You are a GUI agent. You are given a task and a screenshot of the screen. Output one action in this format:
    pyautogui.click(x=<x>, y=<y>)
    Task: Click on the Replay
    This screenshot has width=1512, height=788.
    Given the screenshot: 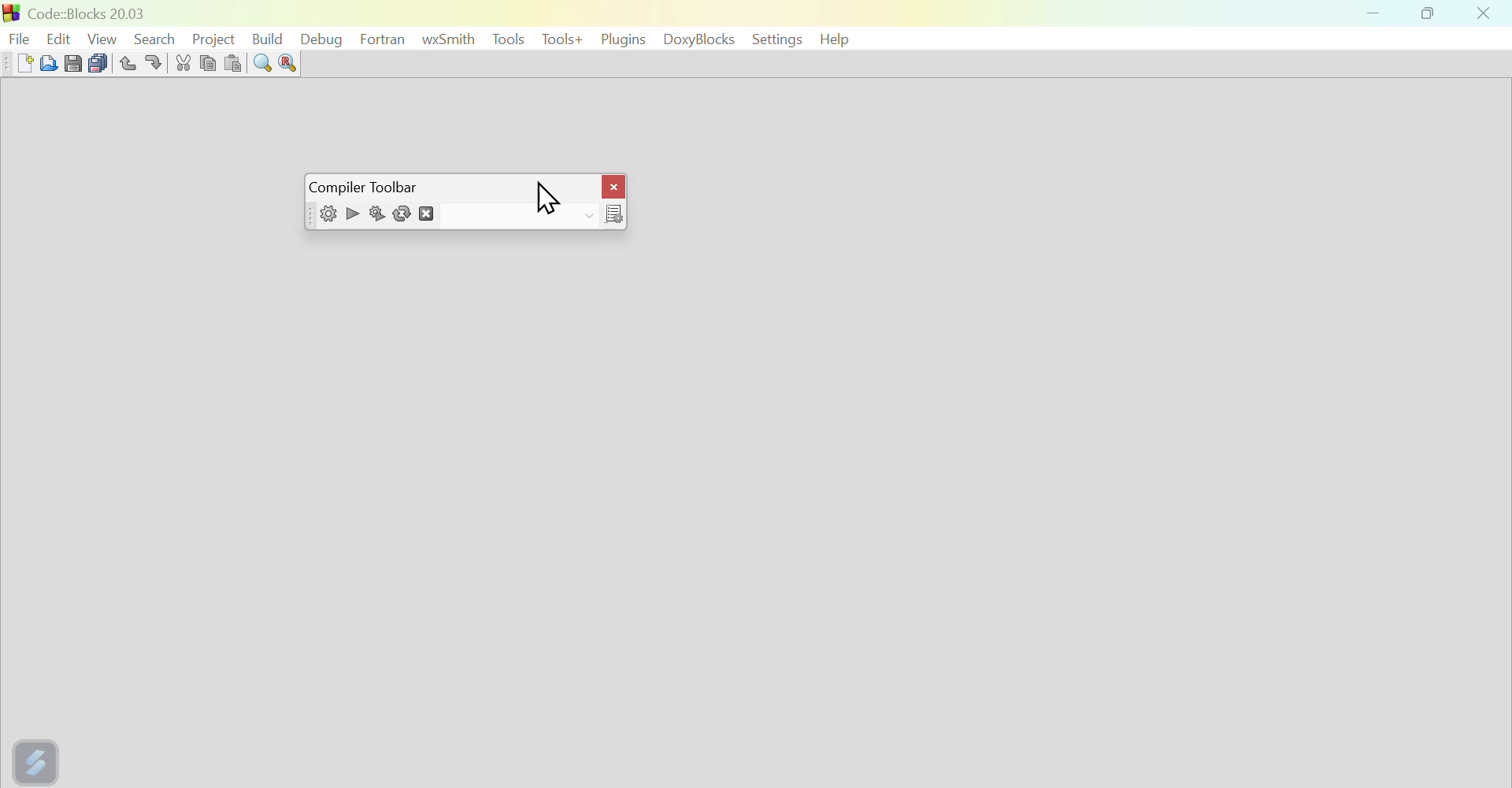 What is the action you would take?
    pyautogui.click(x=405, y=214)
    